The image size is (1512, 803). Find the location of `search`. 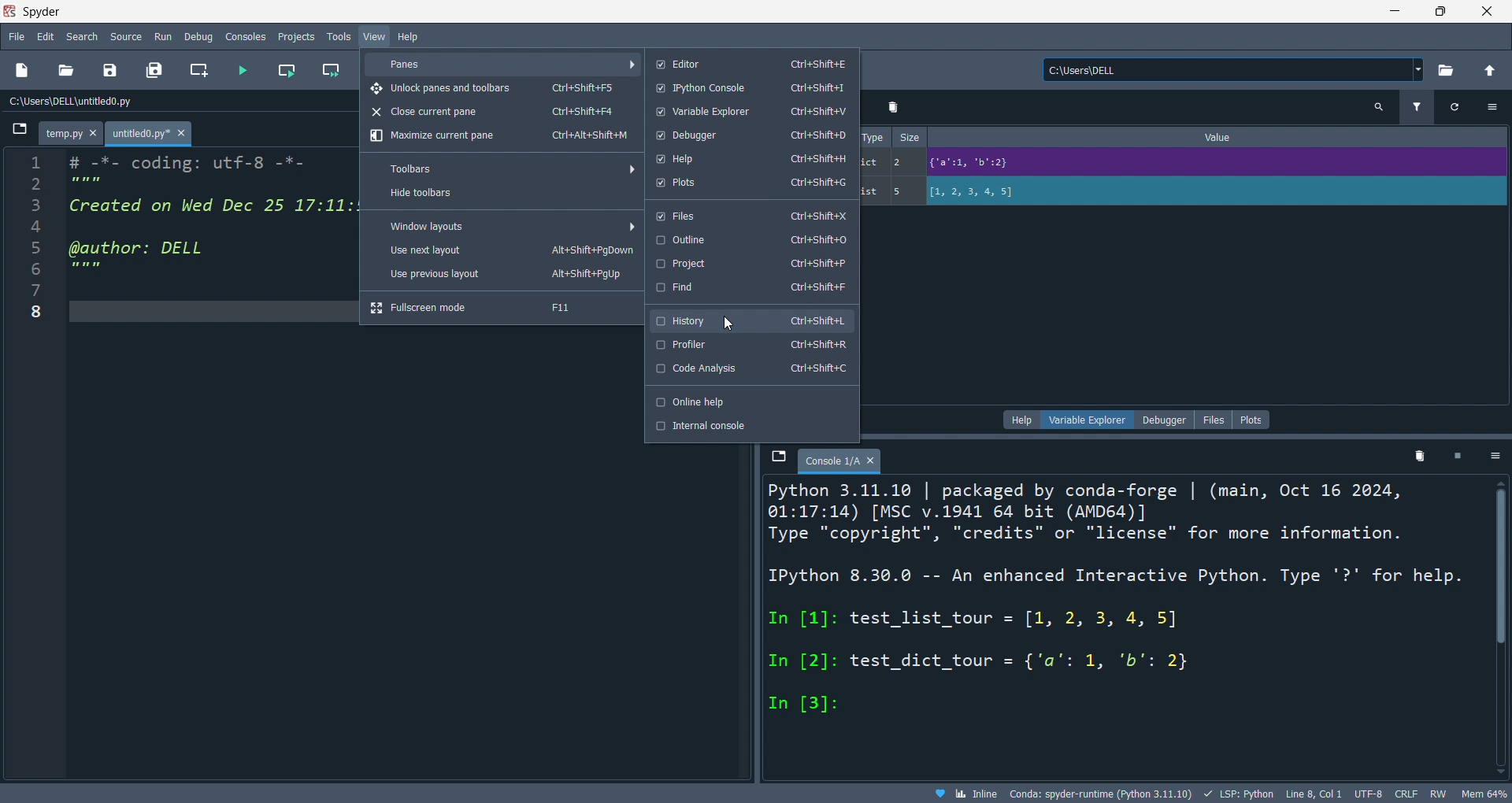

search is located at coordinates (1379, 108).